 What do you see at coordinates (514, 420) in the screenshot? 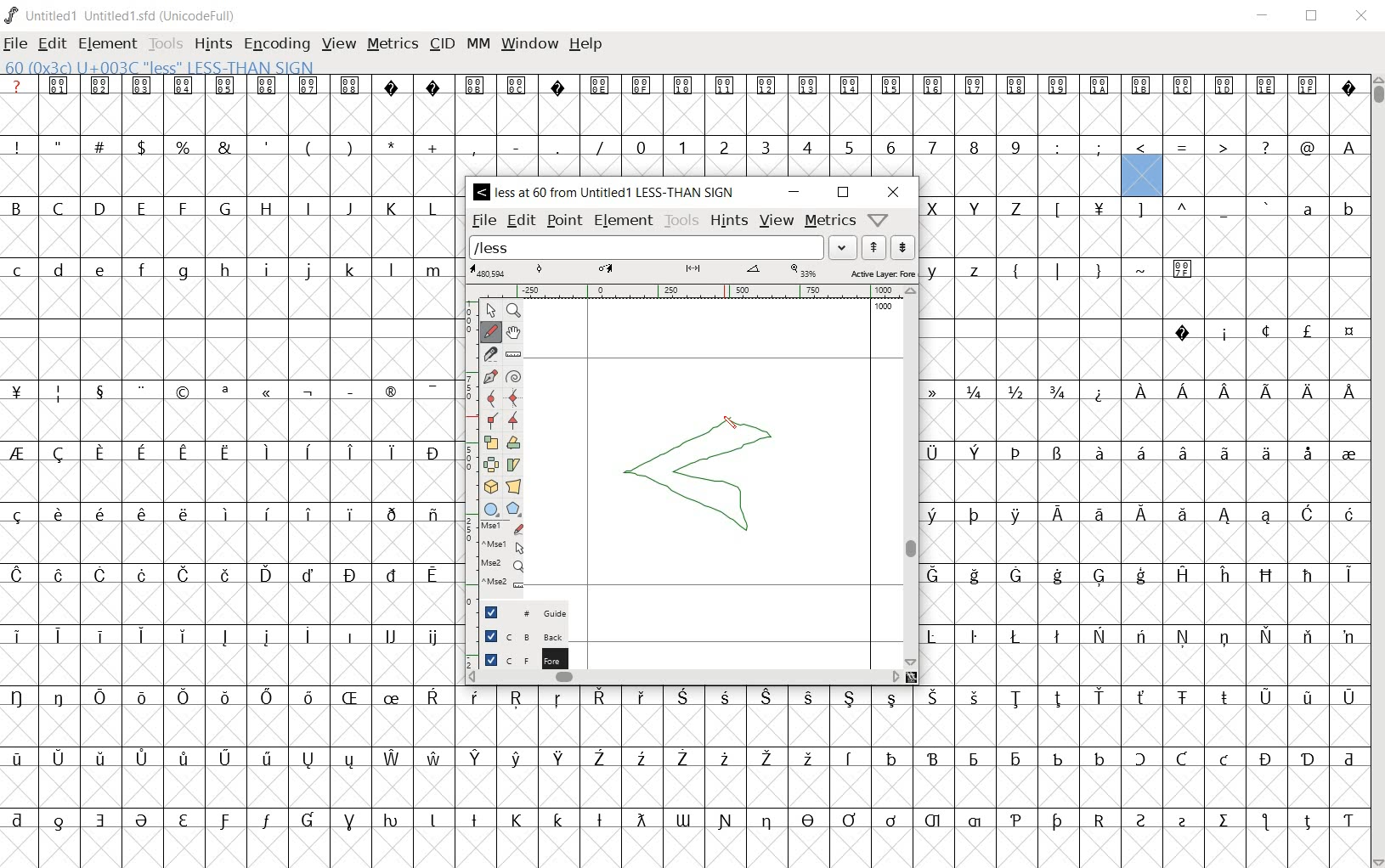
I see `Add a corner point` at bounding box center [514, 420].